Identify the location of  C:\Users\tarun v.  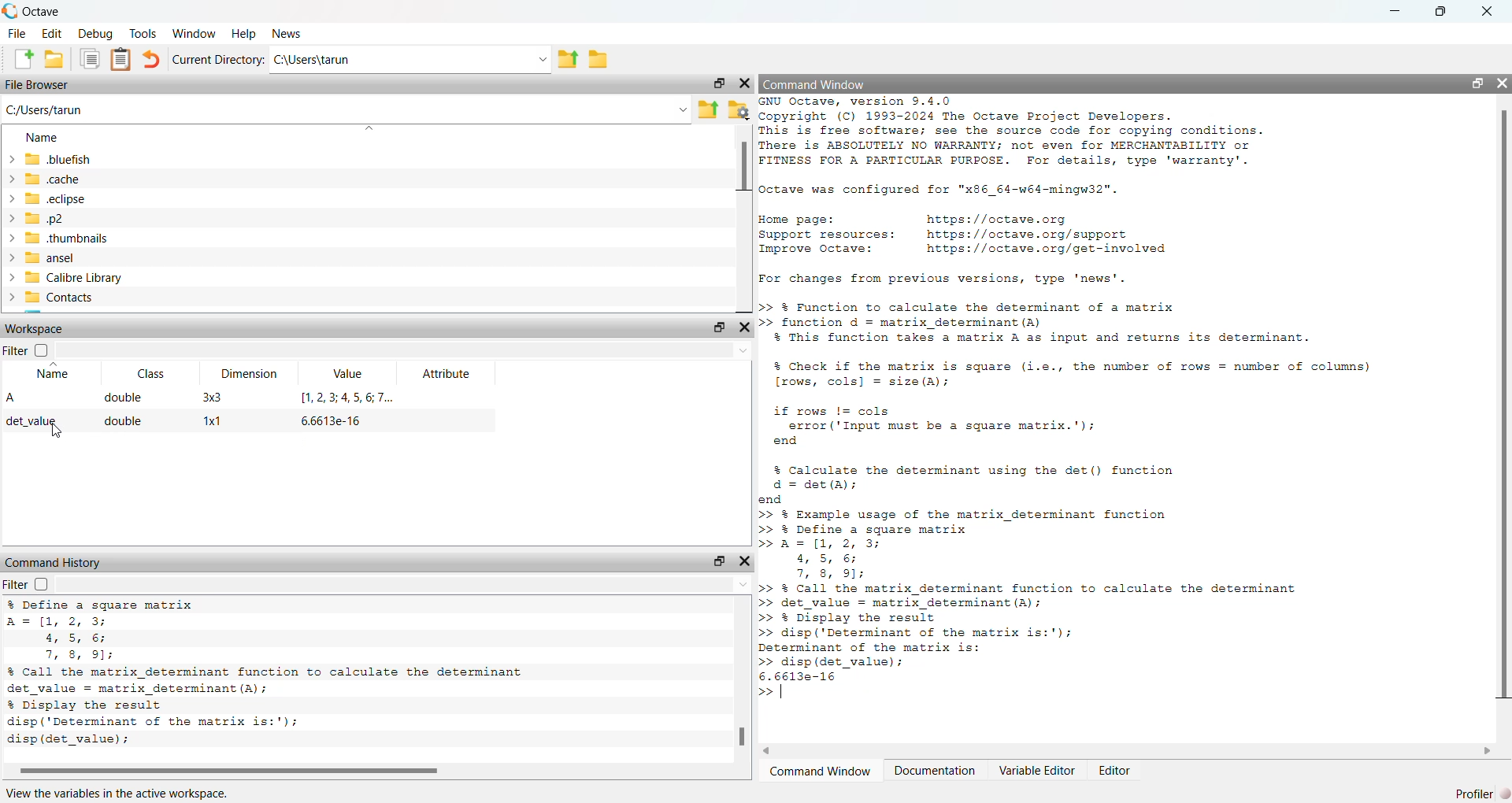
(410, 60).